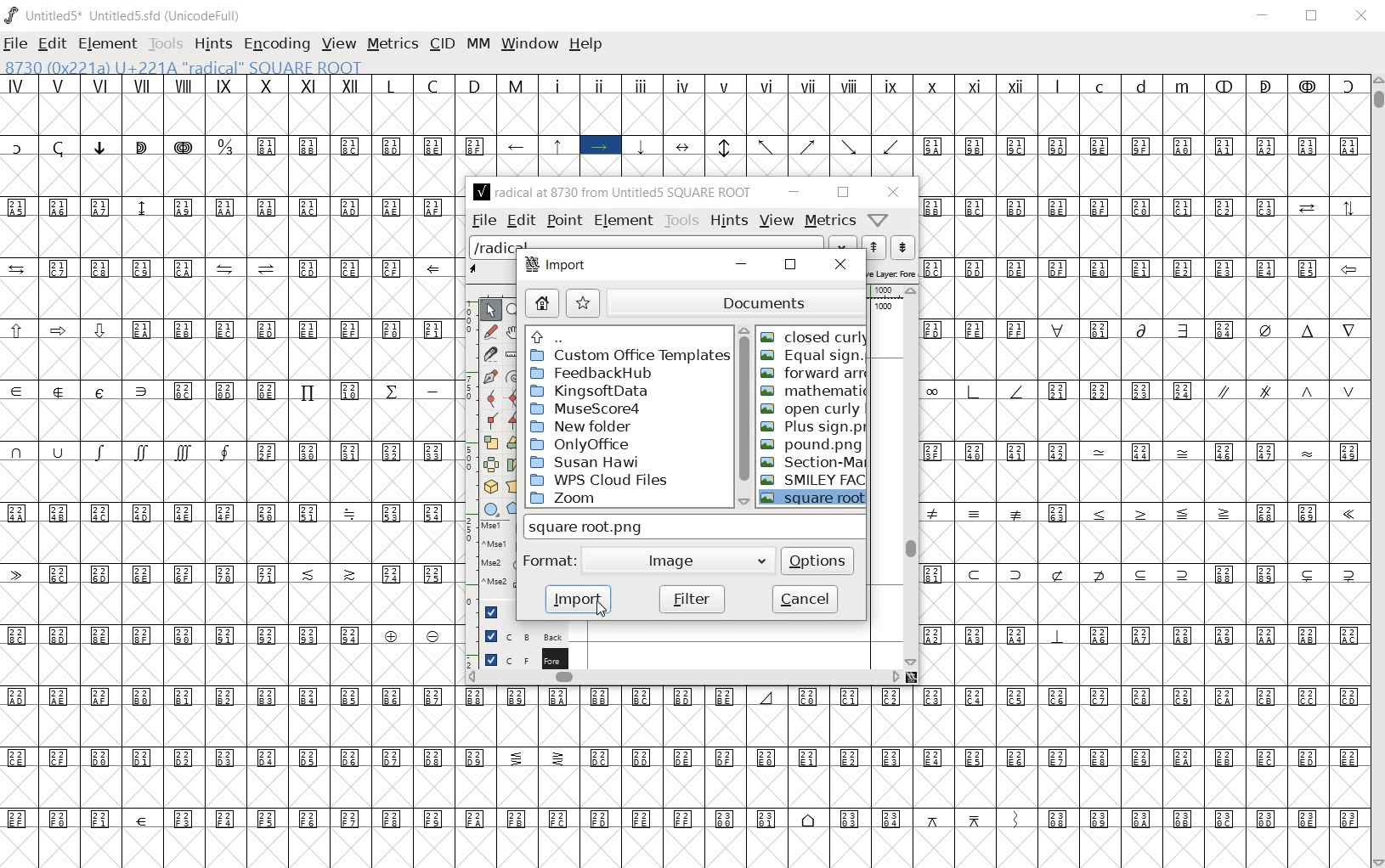  I want to click on SMILEY FACE, so click(813, 479).